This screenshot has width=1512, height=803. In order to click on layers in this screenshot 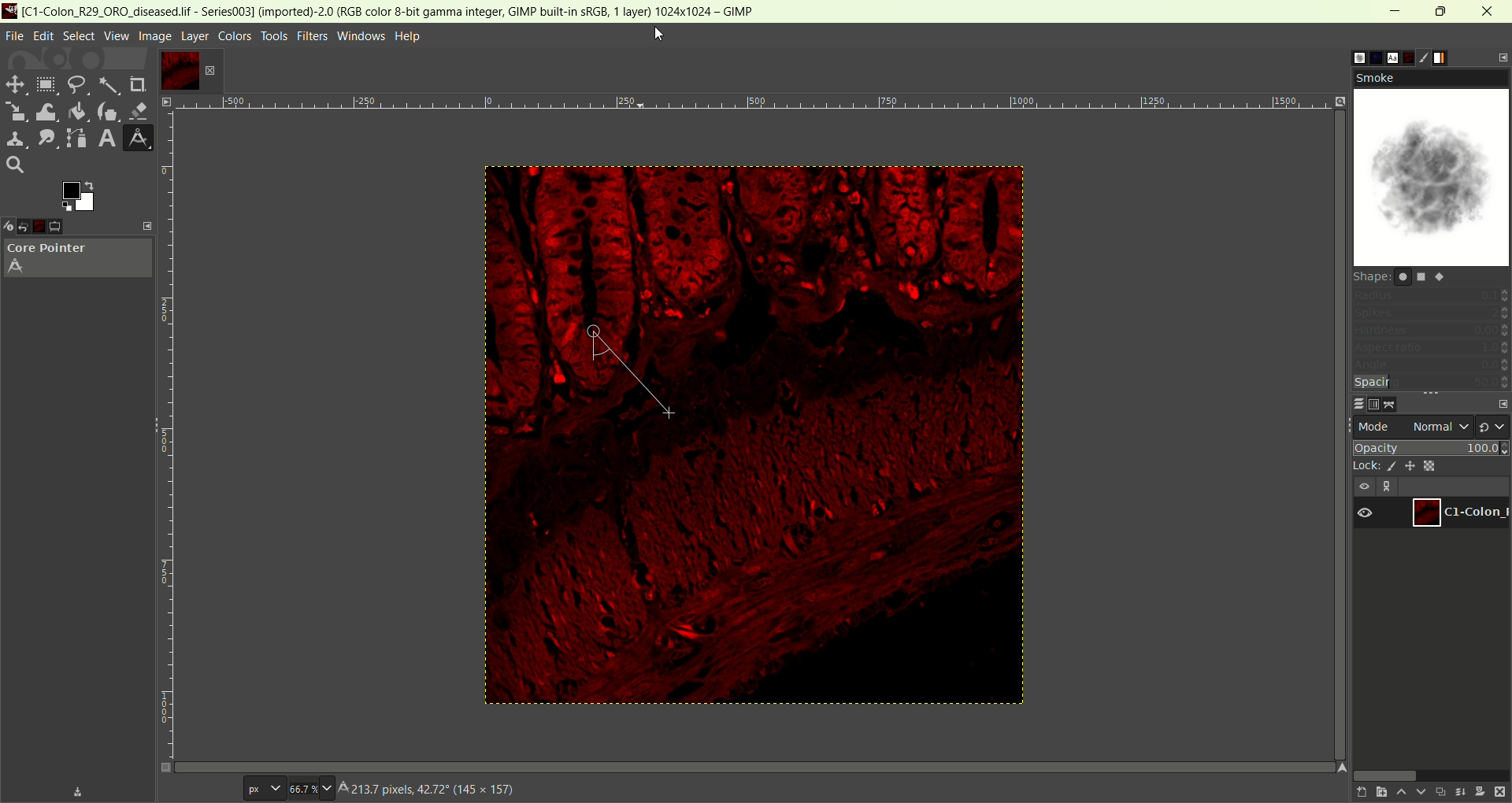, I will do `click(1352, 403)`.